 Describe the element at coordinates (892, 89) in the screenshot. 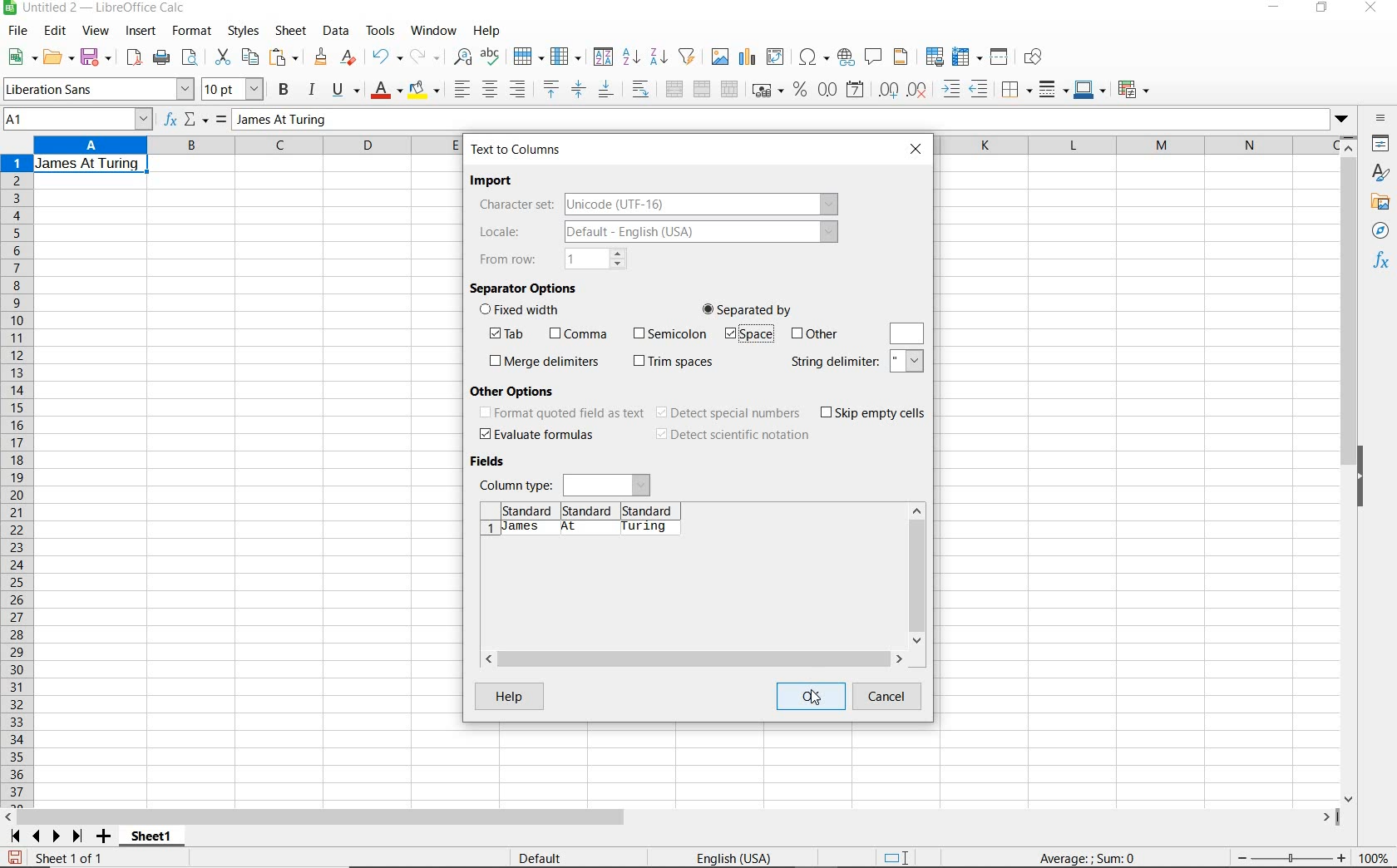

I see `add decimal place` at that location.